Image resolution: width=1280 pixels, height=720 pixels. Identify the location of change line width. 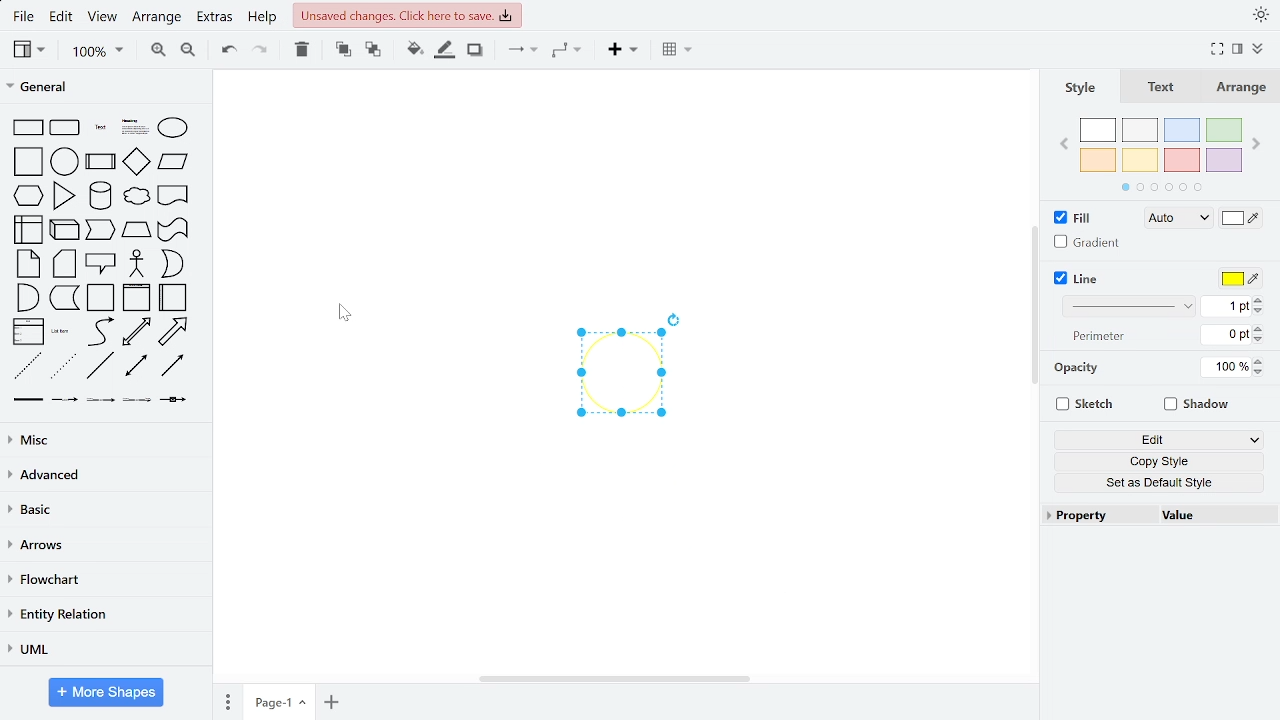
(1228, 306).